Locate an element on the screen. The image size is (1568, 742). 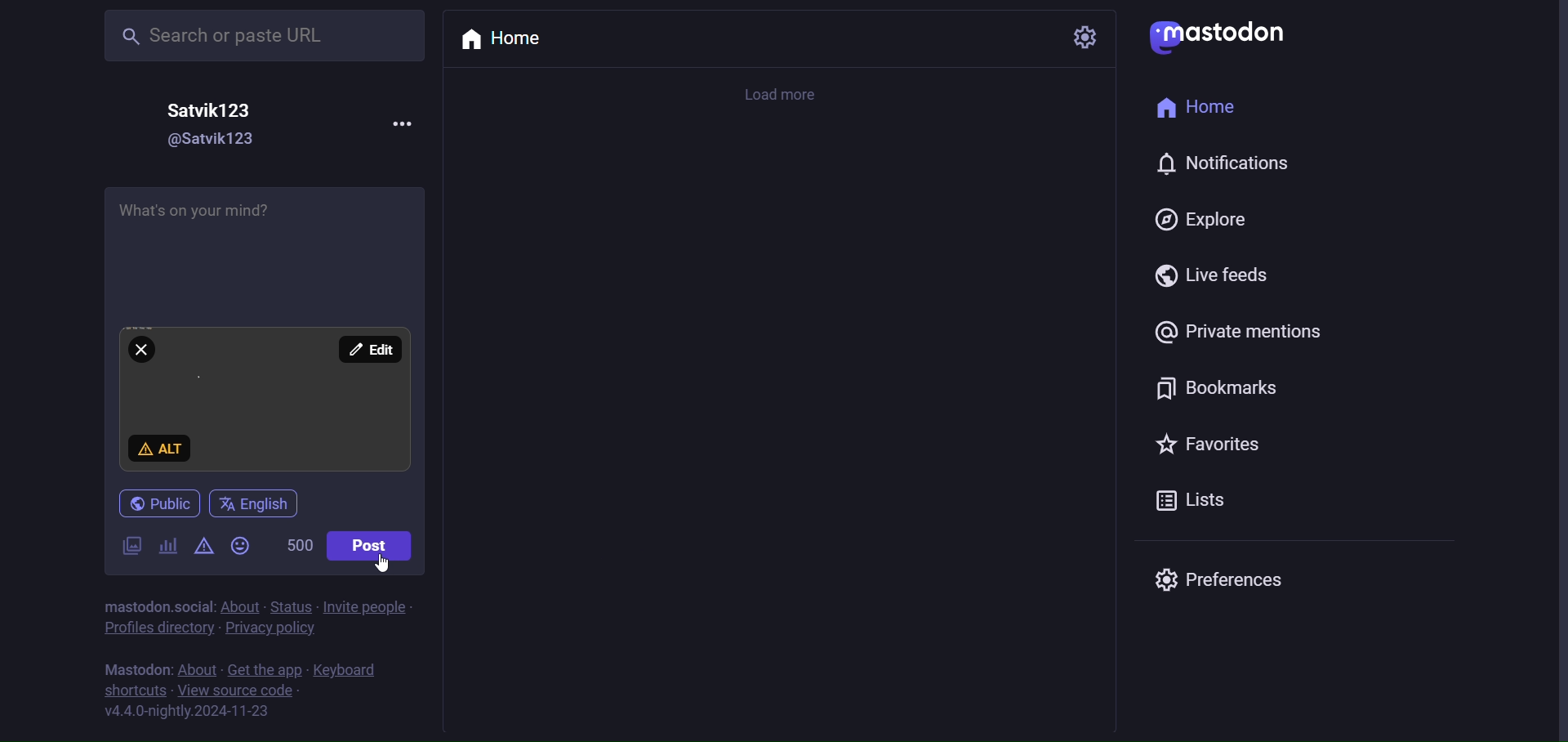
about is located at coordinates (240, 606).